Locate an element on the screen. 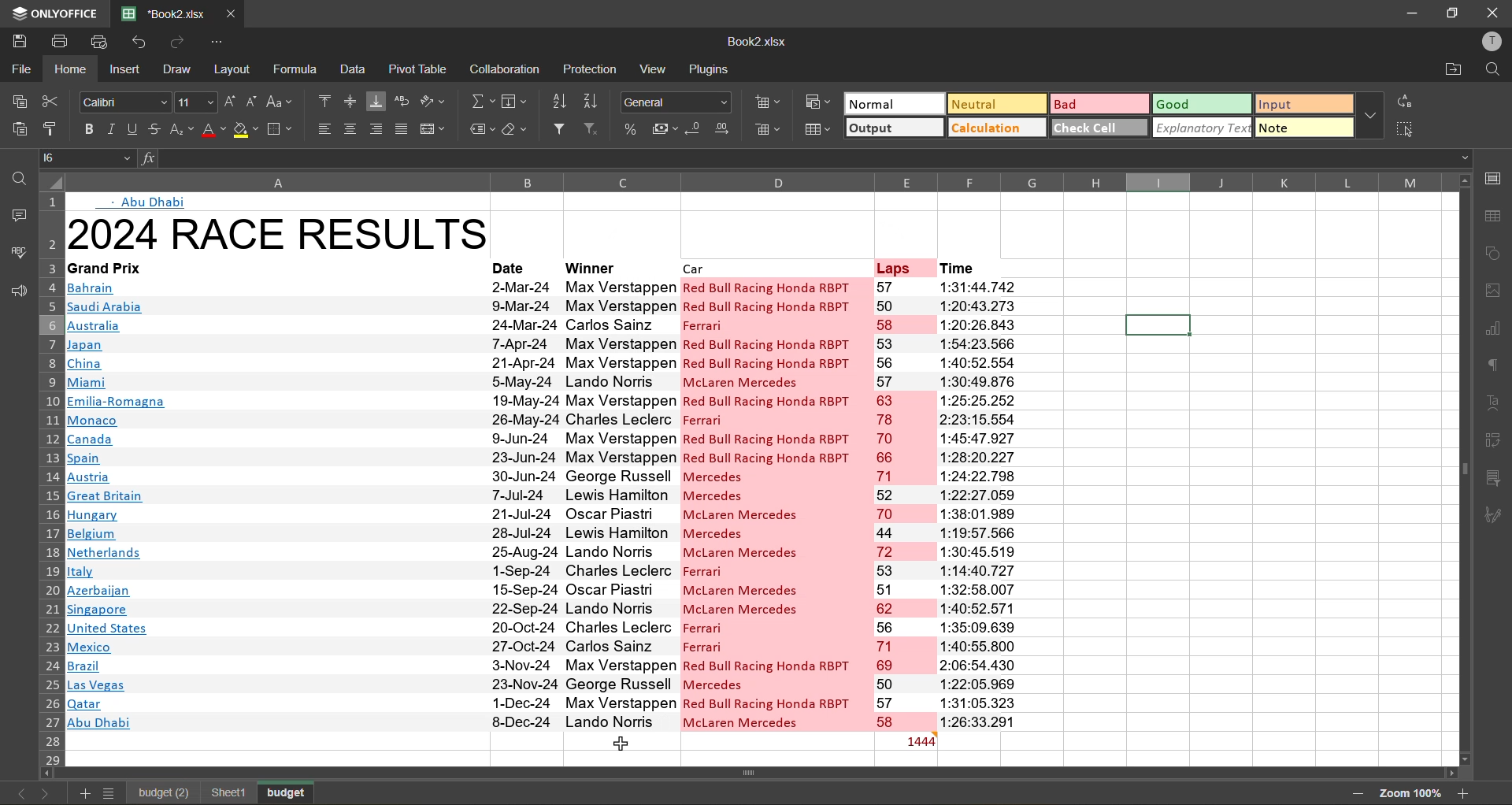 This screenshot has height=805, width=1512. italic is located at coordinates (110, 130).